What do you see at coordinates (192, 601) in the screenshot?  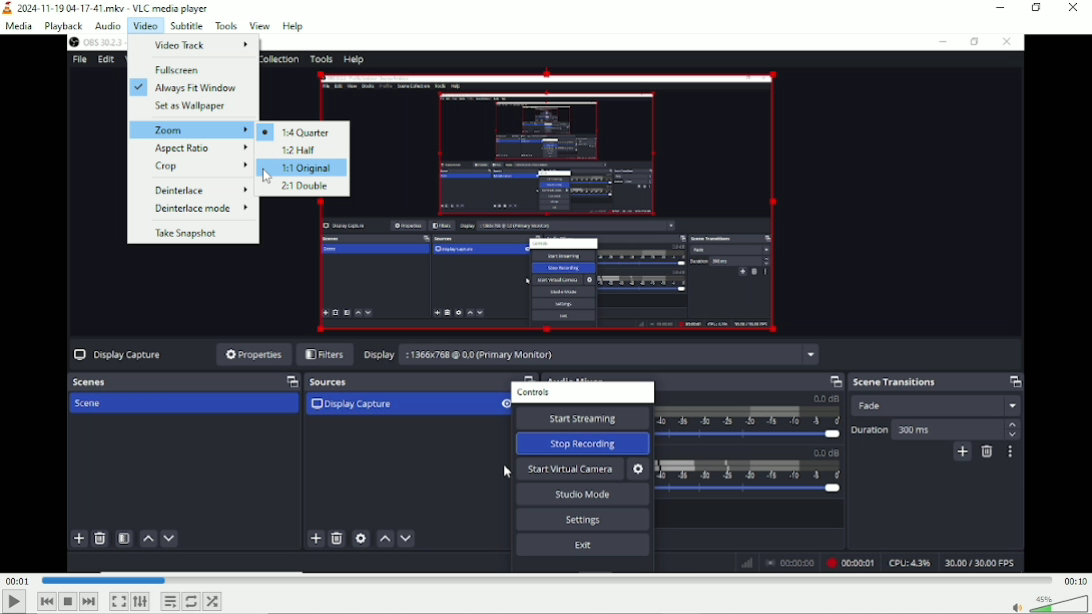 I see `Toggle between loop all, loop one and no loop` at bounding box center [192, 601].